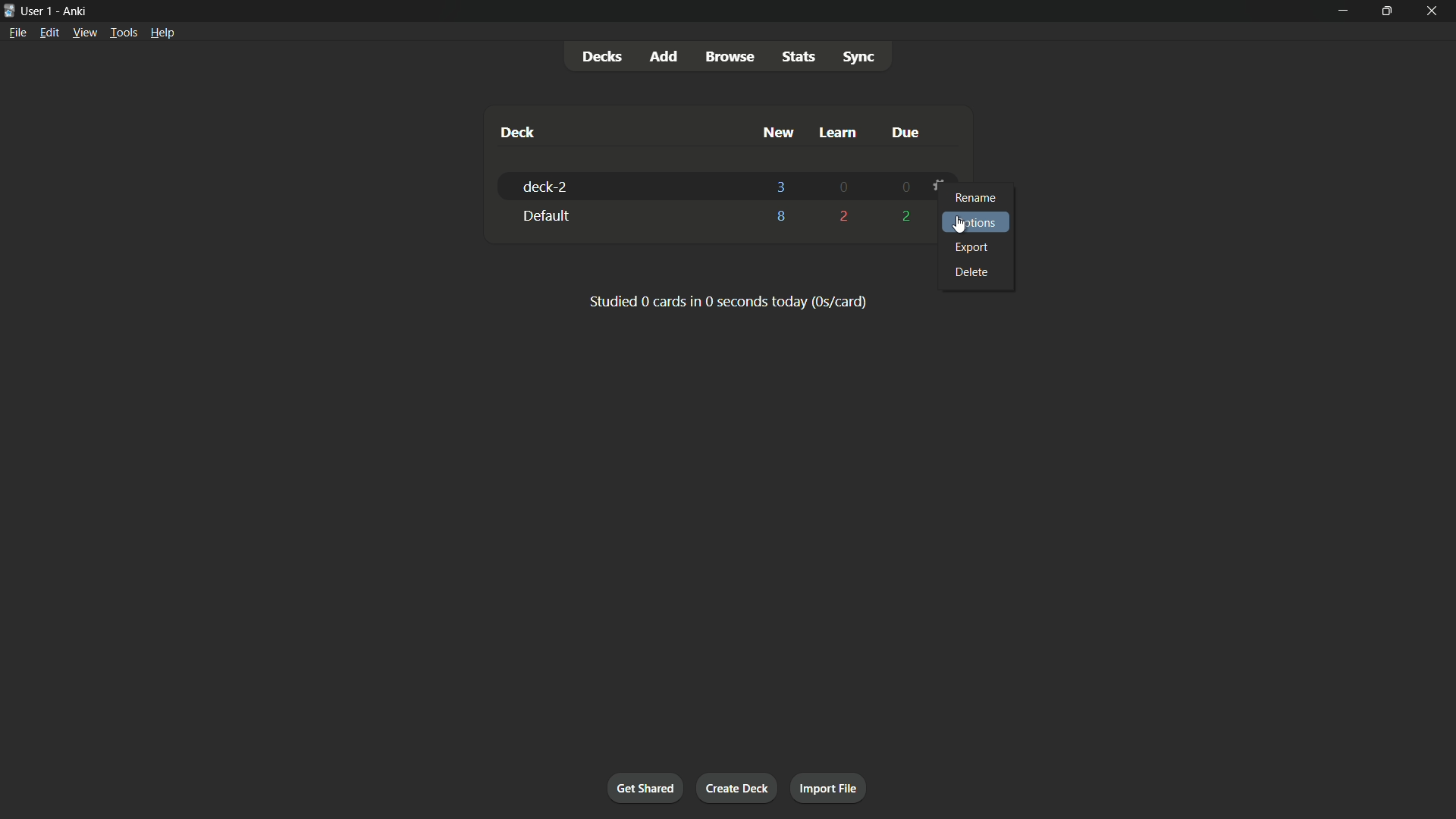  Describe the element at coordinates (164, 33) in the screenshot. I see `help menu` at that location.